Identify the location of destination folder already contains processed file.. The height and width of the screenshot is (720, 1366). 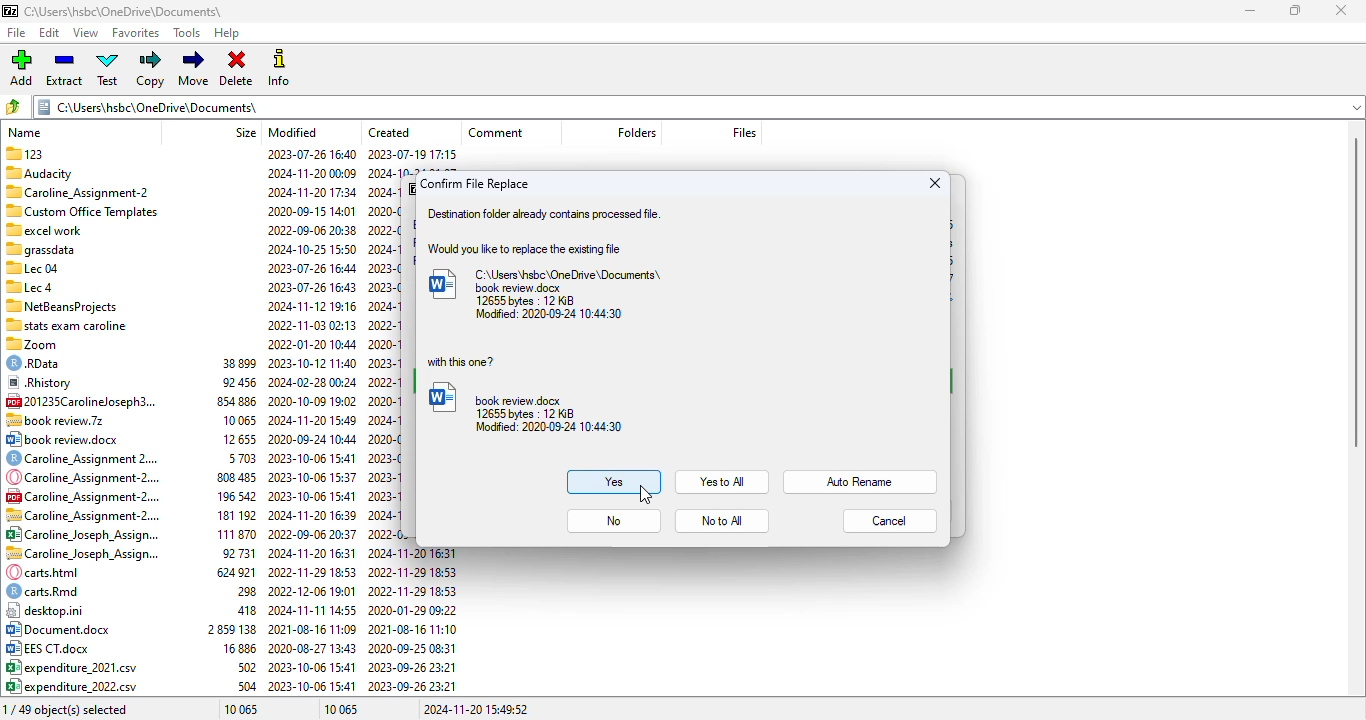
(546, 214).